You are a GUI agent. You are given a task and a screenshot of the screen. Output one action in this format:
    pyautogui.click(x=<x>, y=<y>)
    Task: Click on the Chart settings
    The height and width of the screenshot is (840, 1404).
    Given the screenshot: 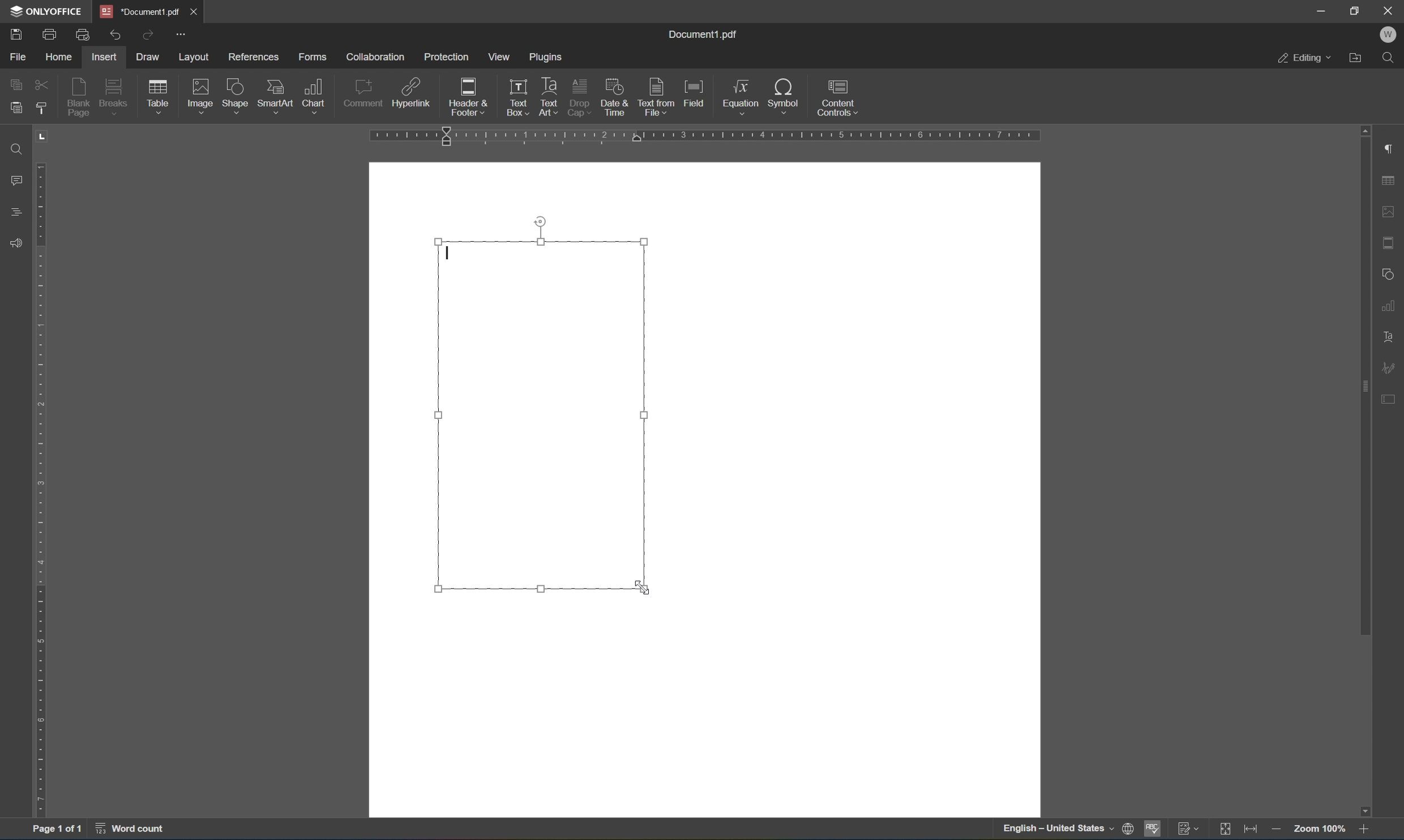 What is the action you would take?
    pyautogui.click(x=1390, y=304)
    